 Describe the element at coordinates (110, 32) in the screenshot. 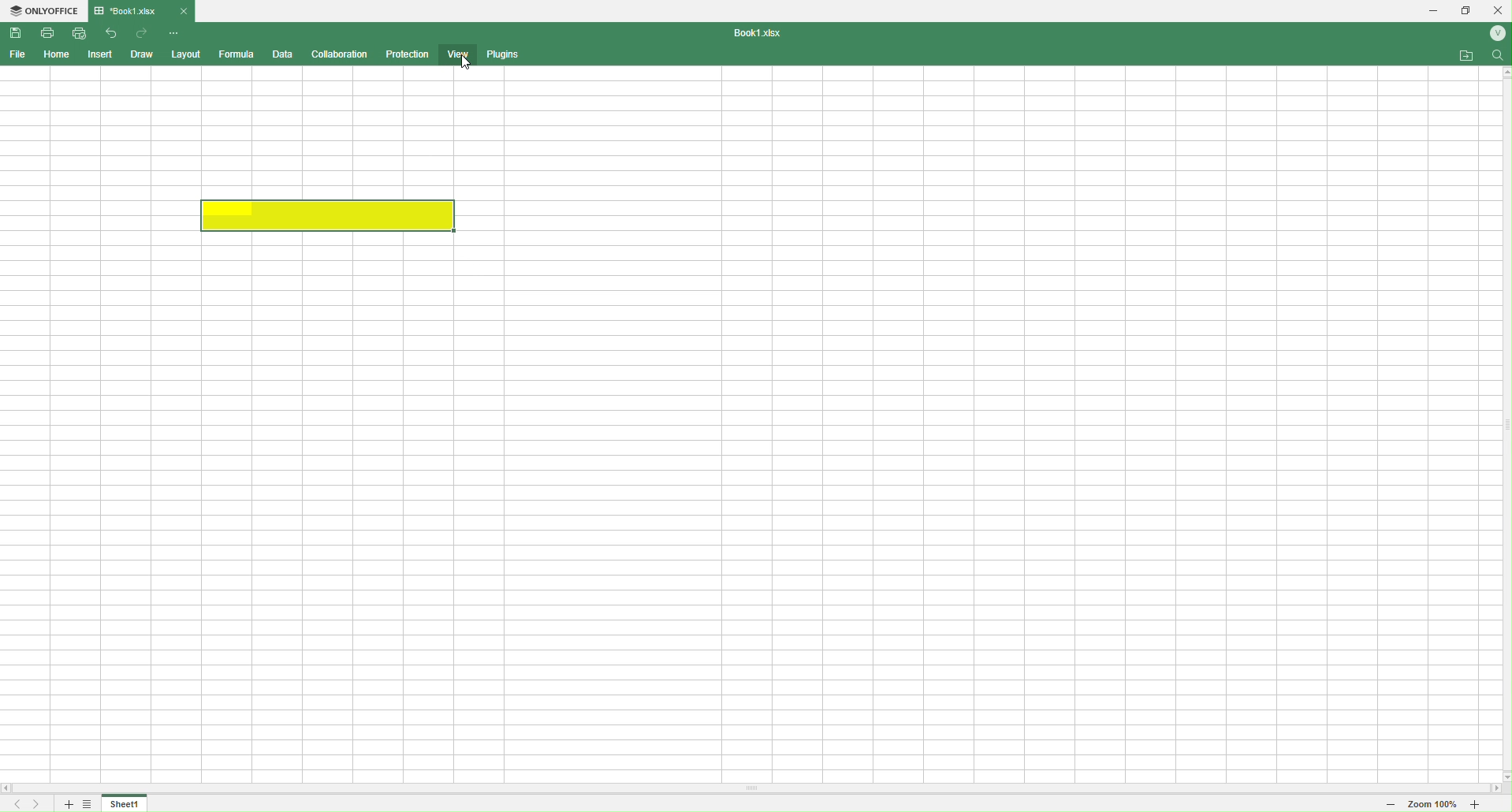

I see `Undo` at that location.